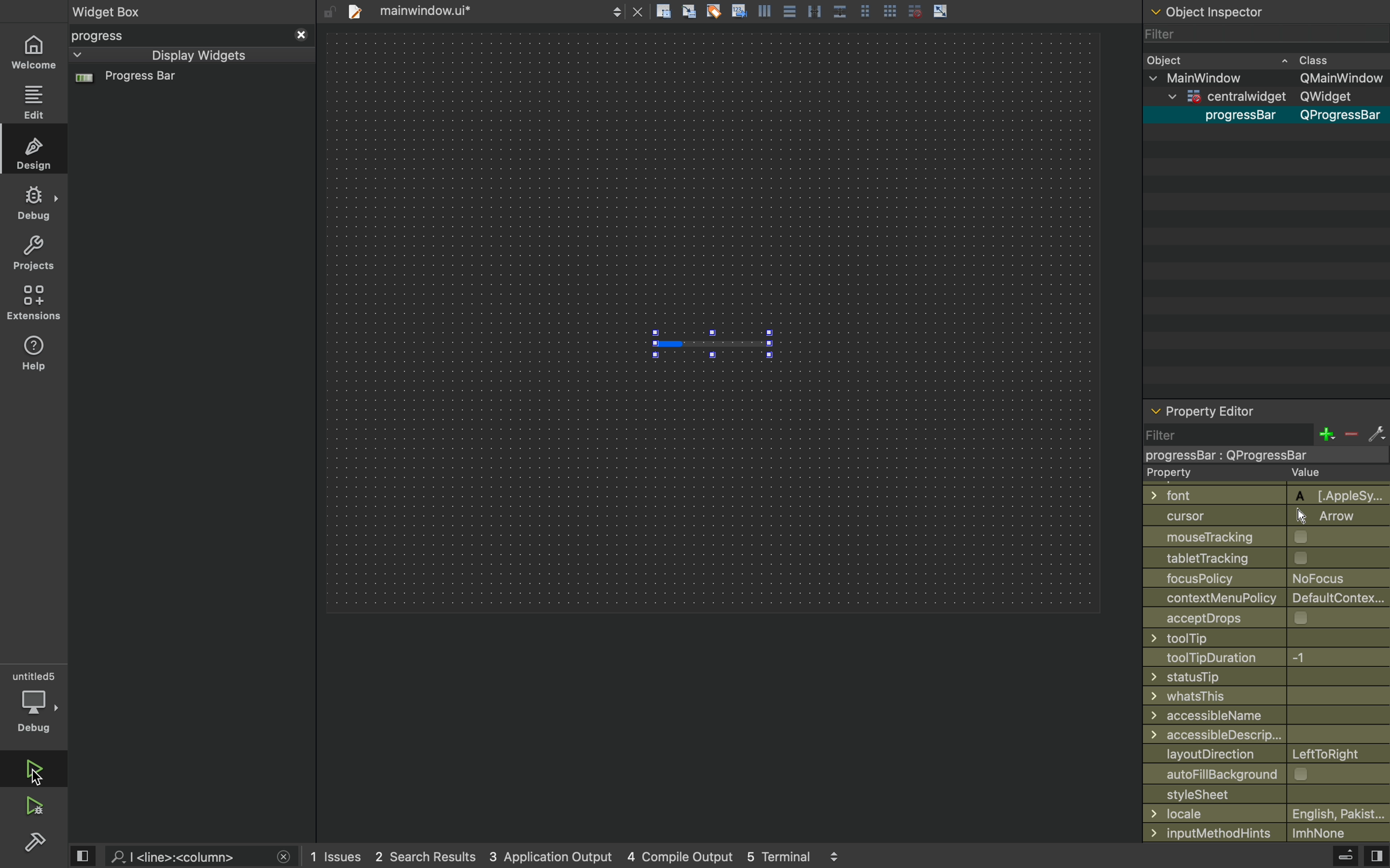 This screenshot has width=1390, height=868. Describe the element at coordinates (1263, 754) in the screenshot. I see `layout description` at that location.